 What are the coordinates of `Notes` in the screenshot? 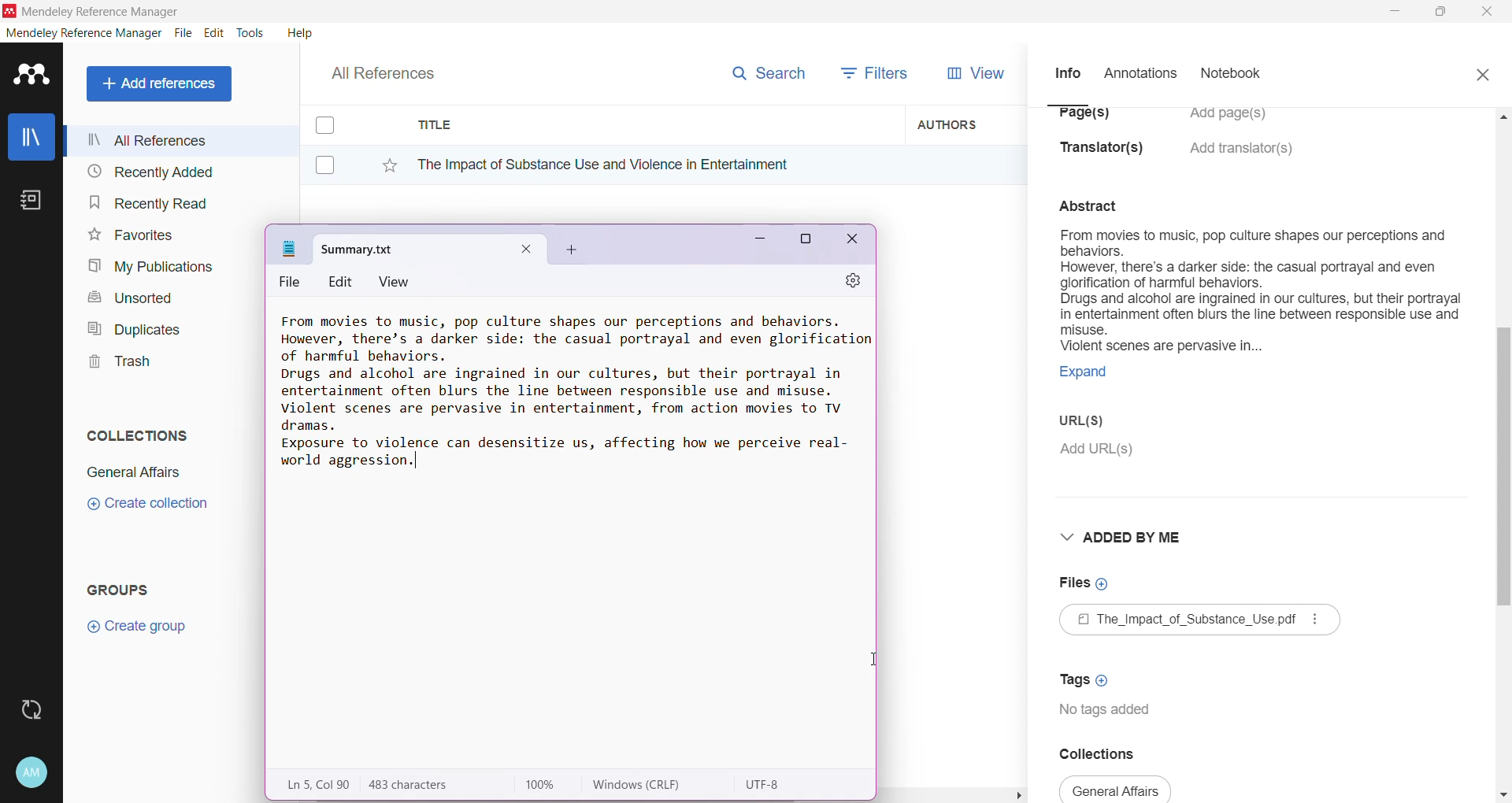 It's located at (35, 202).